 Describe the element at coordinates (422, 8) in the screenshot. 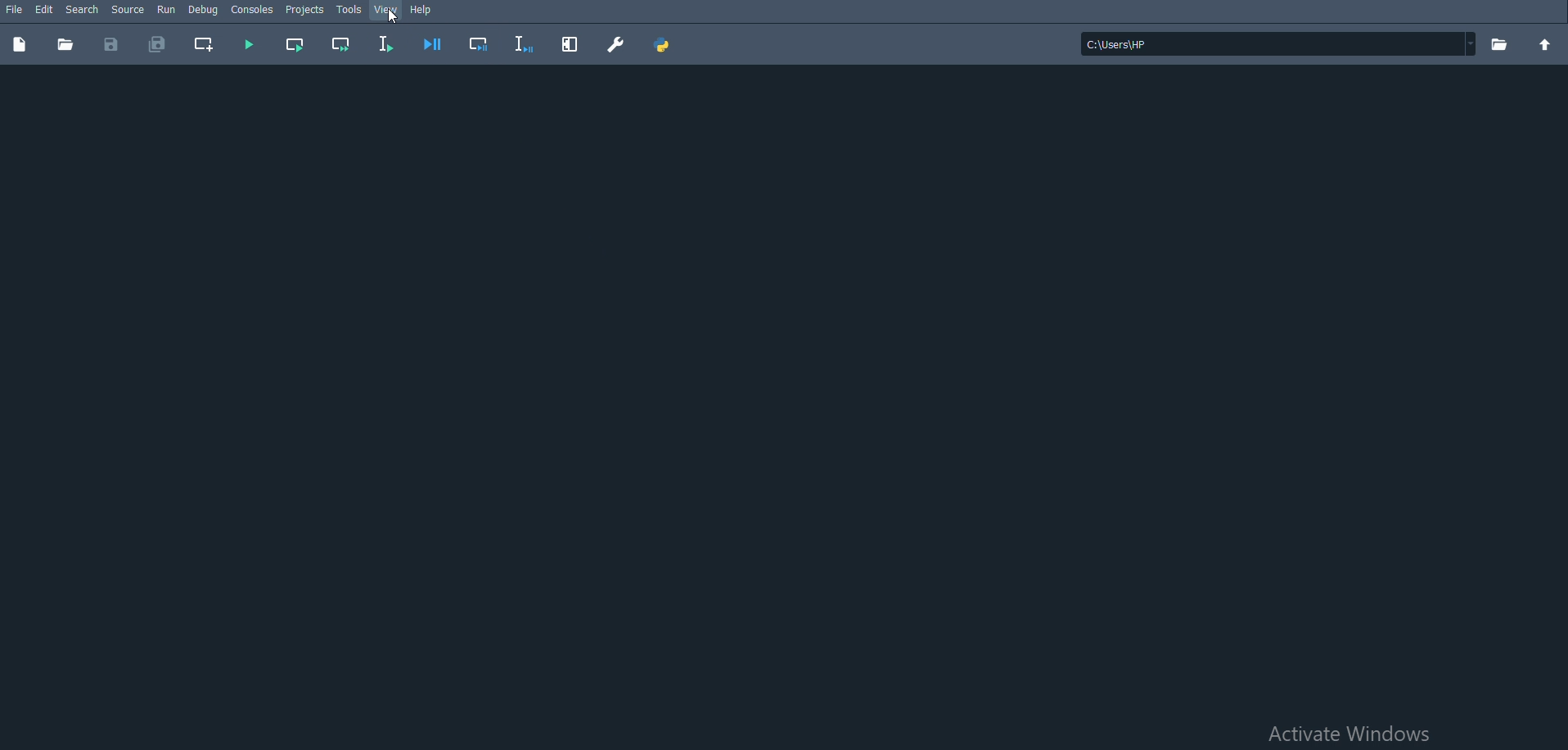

I see `Help` at that location.